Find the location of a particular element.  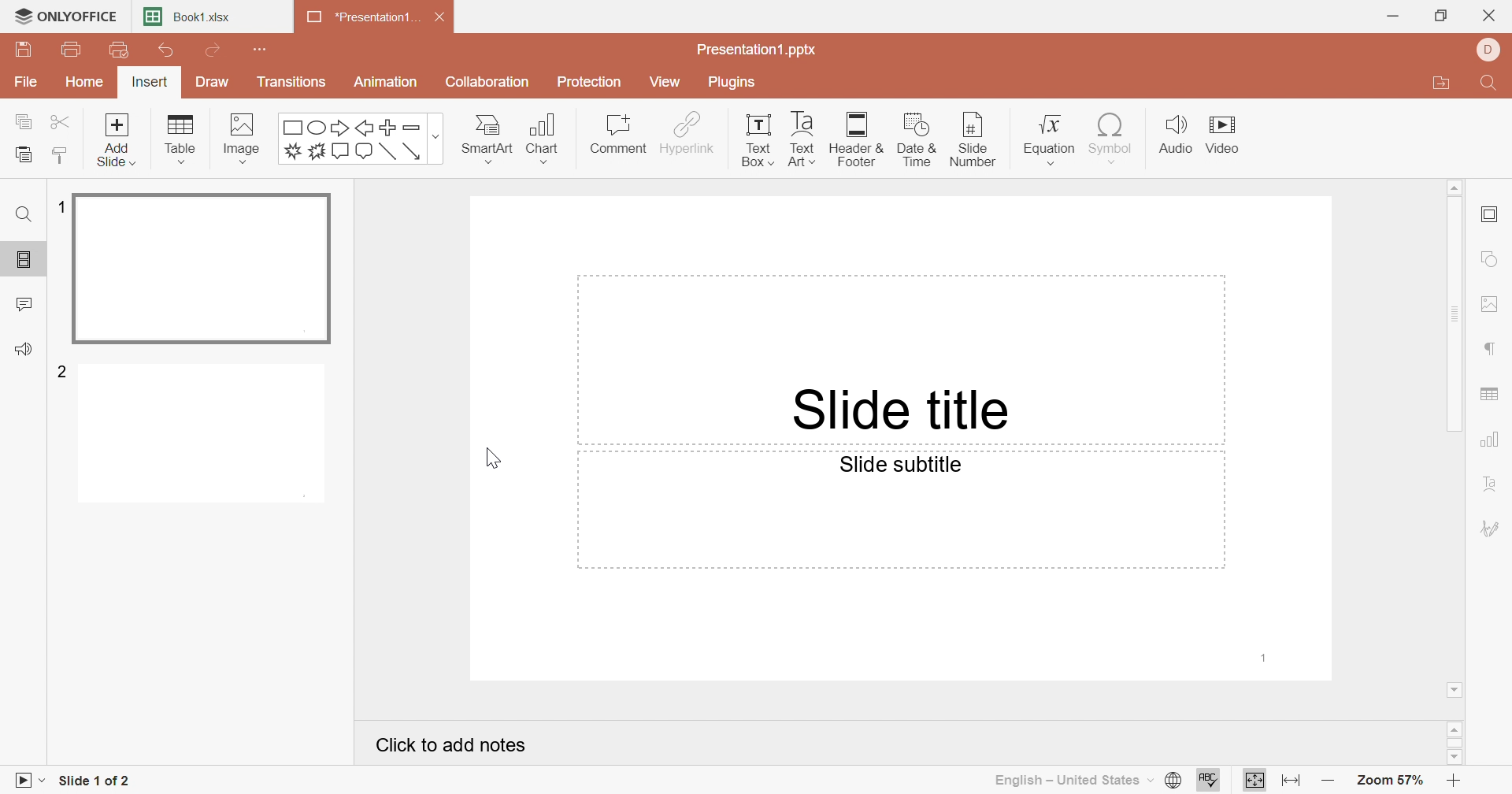

Paragraph settings is located at coordinates (1492, 350).